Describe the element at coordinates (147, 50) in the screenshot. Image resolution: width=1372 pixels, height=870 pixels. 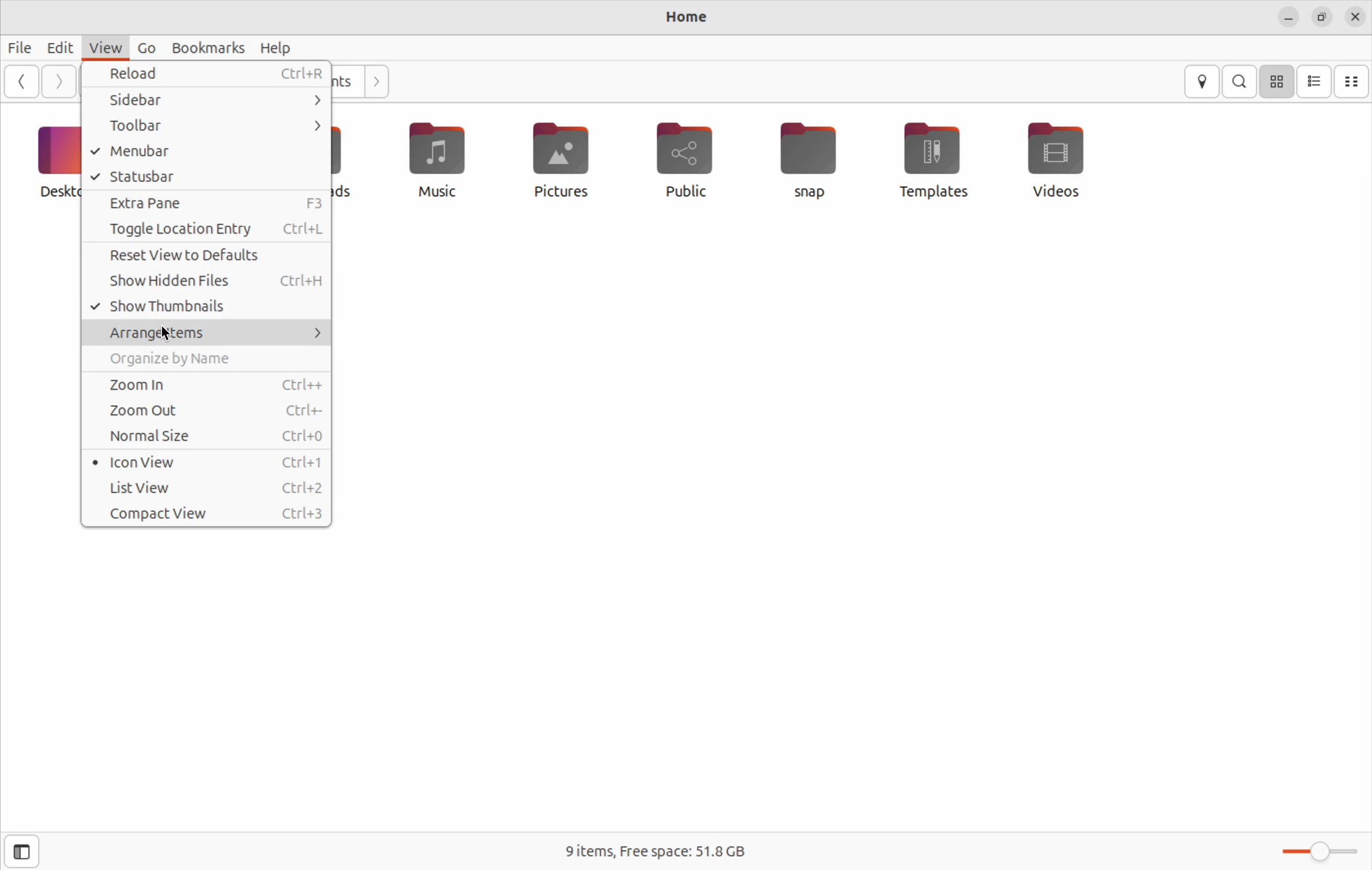
I see `Go` at that location.